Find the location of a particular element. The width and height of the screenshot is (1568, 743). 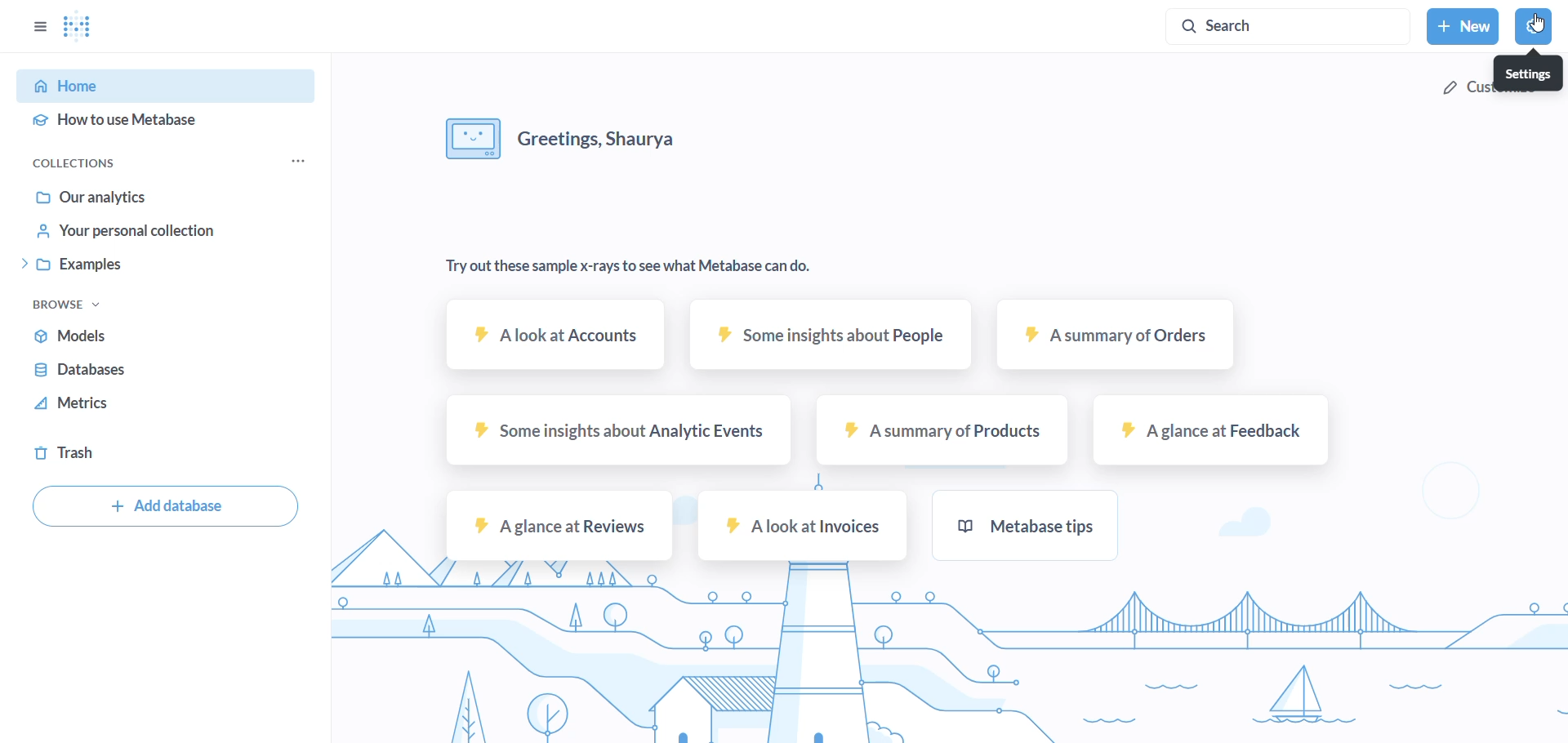

A summary of products sample is located at coordinates (942, 433).